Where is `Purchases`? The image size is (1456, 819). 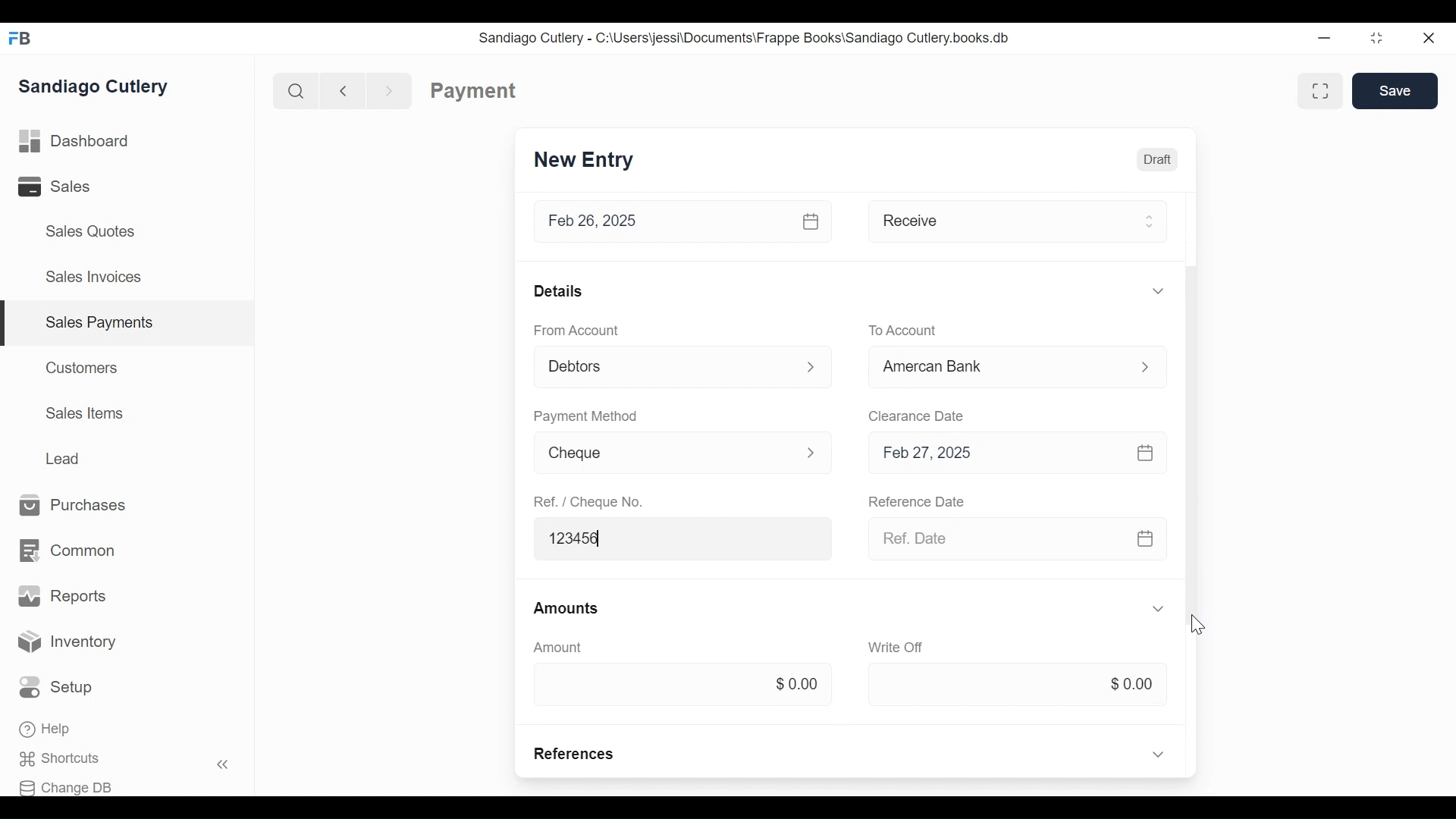 Purchases is located at coordinates (74, 506).